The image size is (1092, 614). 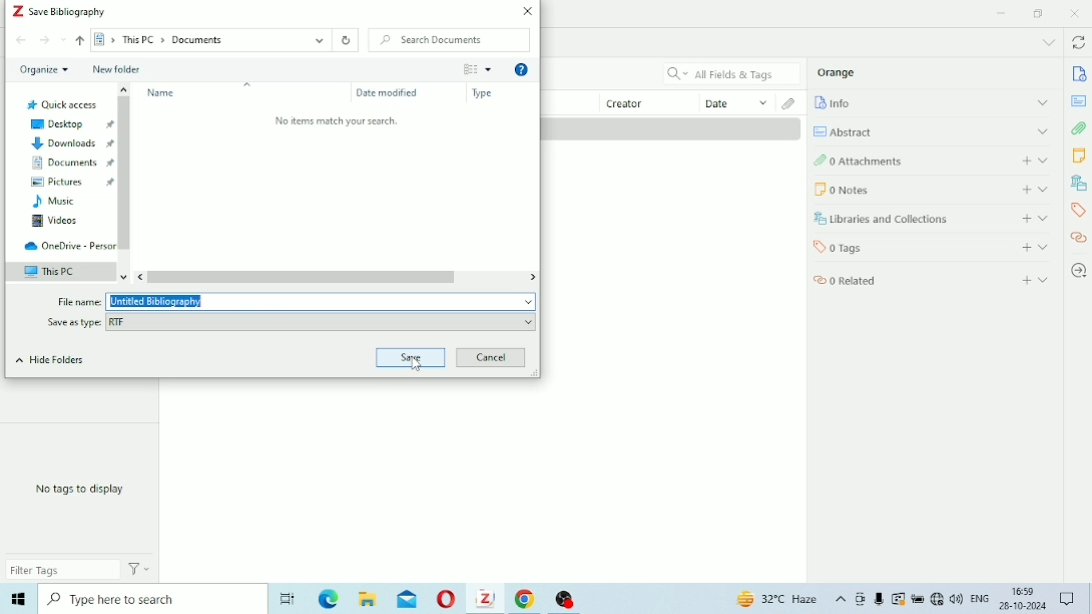 I want to click on Zotero, so click(x=490, y=599).